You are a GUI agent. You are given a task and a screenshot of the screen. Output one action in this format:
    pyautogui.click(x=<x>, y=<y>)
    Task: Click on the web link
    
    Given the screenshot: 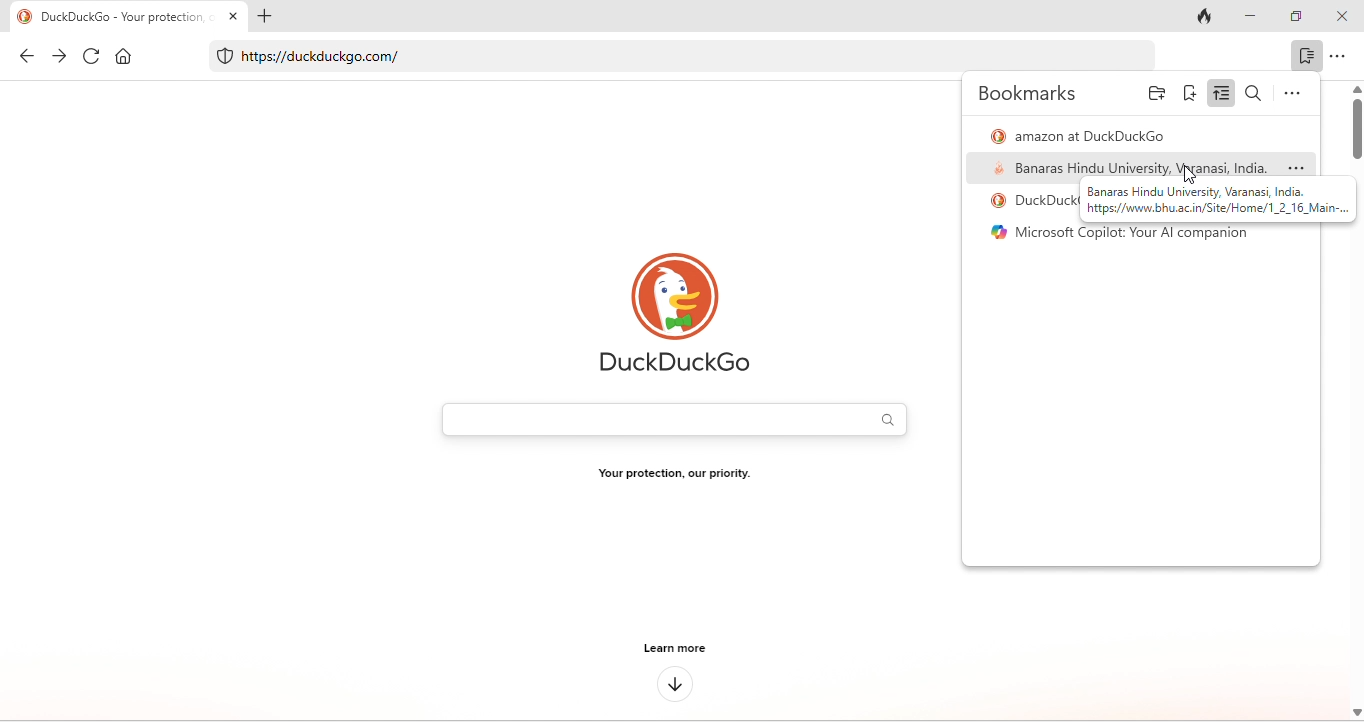 What is the action you would take?
    pyautogui.click(x=662, y=58)
    